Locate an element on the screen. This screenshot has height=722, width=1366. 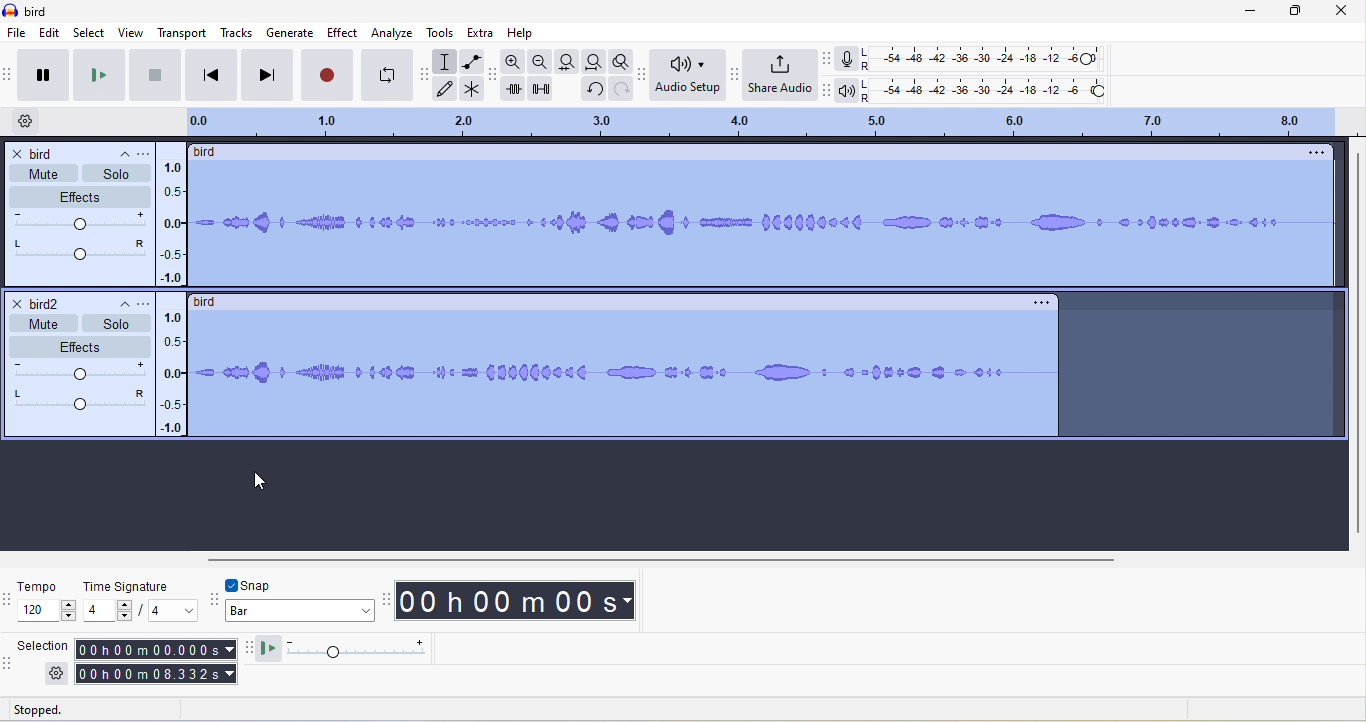
collapse is located at coordinates (112, 152).